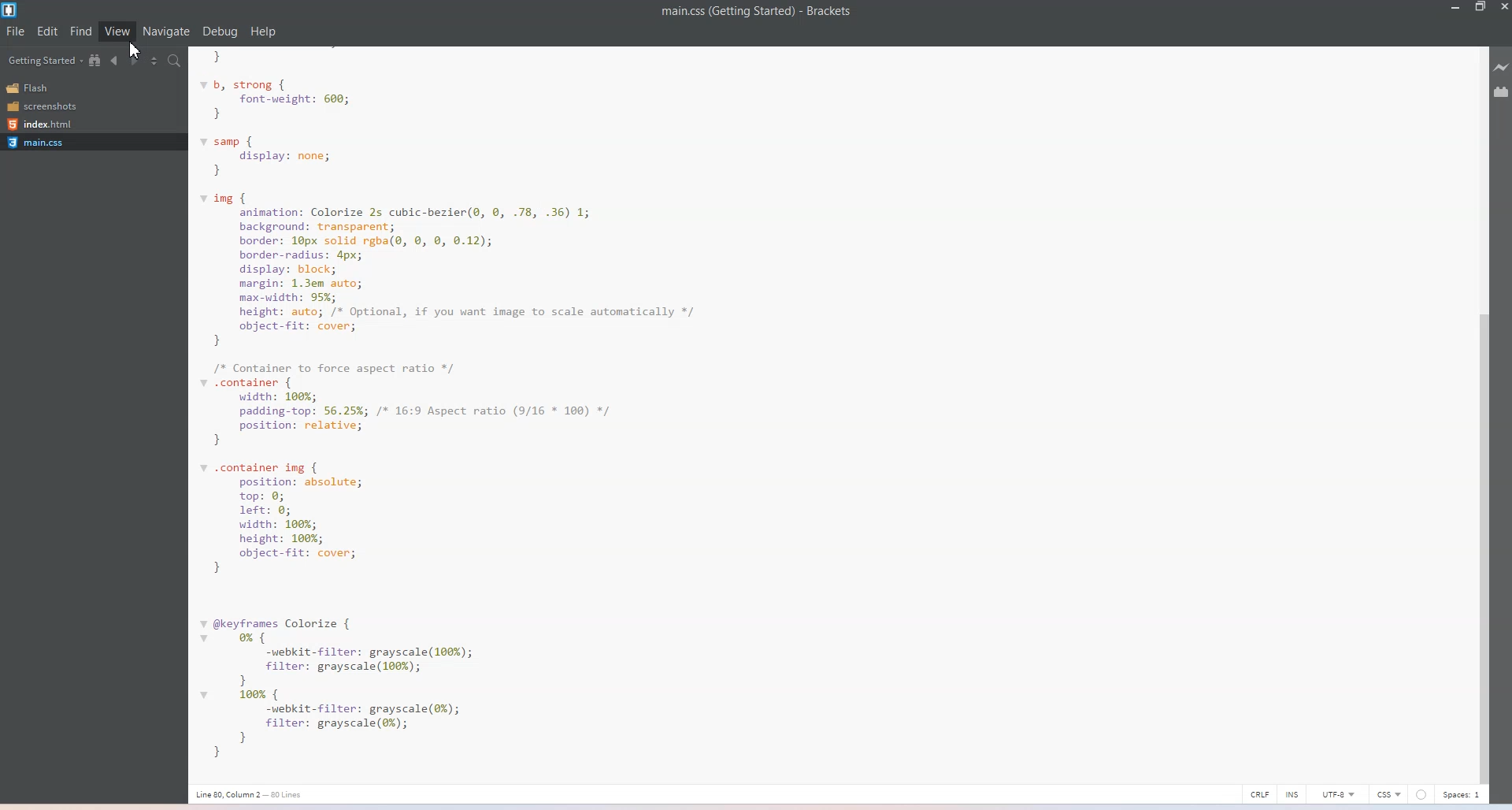 The width and height of the screenshot is (1512, 810). Describe the element at coordinates (1421, 794) in the screenshot. I see `` at that location.